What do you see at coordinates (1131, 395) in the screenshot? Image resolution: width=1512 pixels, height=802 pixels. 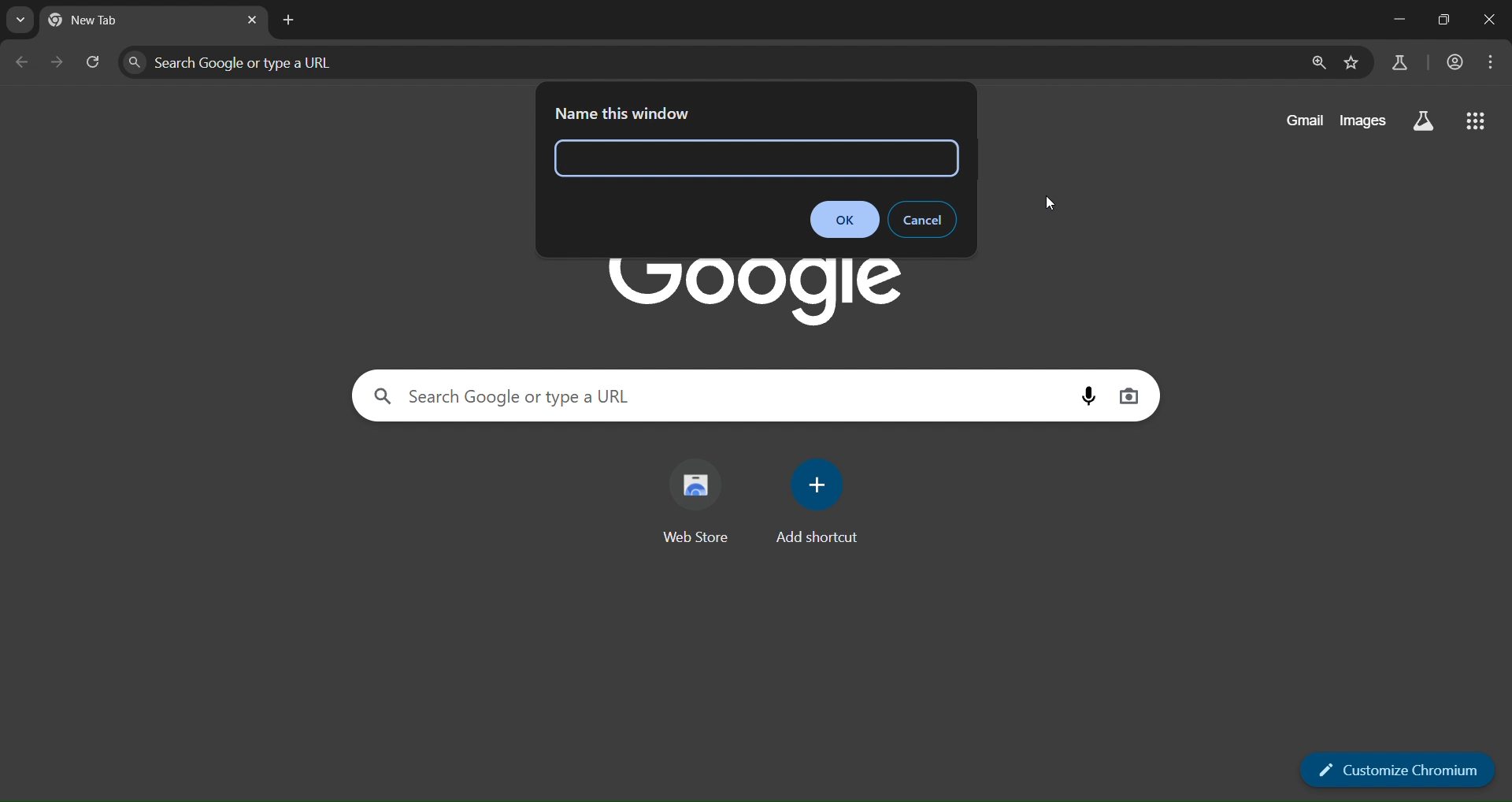 I see `image search` at bounding box center [1131, 395].